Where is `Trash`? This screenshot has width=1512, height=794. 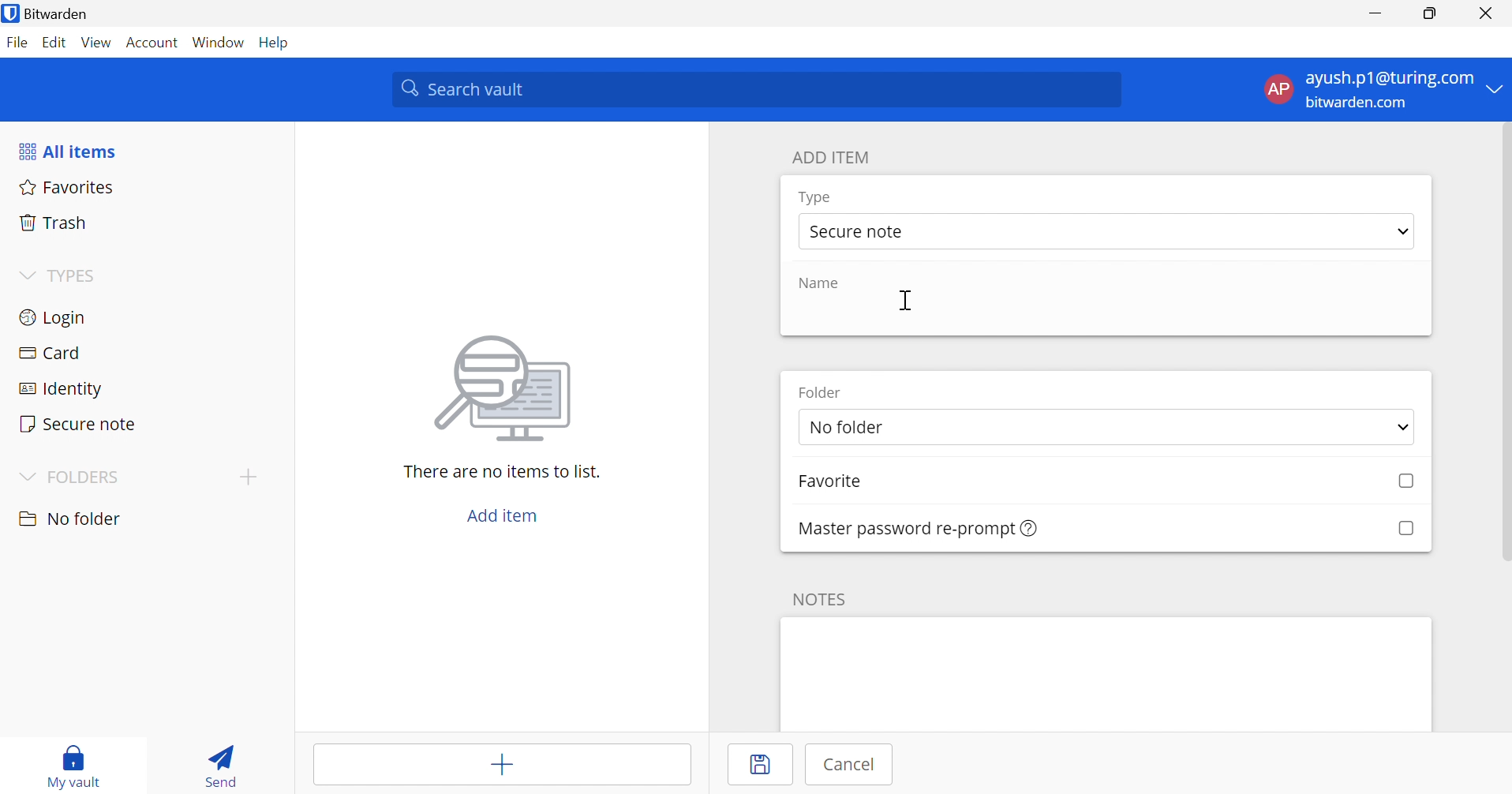 Trash is located at coordinates (54, 223).